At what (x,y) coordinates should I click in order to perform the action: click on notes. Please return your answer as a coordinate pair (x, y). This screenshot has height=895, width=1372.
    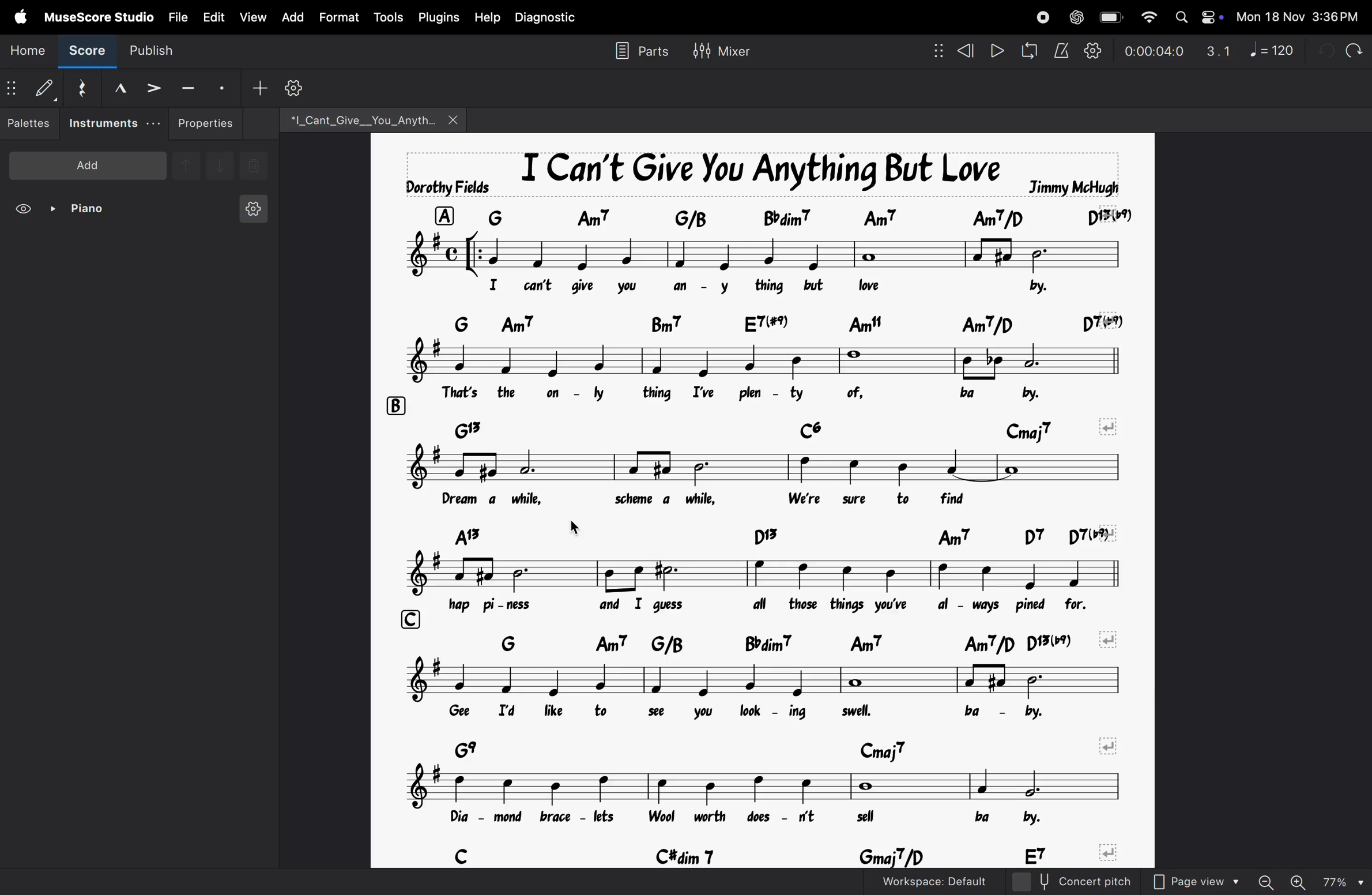
    Looking at the image, I should click on (768, 254).